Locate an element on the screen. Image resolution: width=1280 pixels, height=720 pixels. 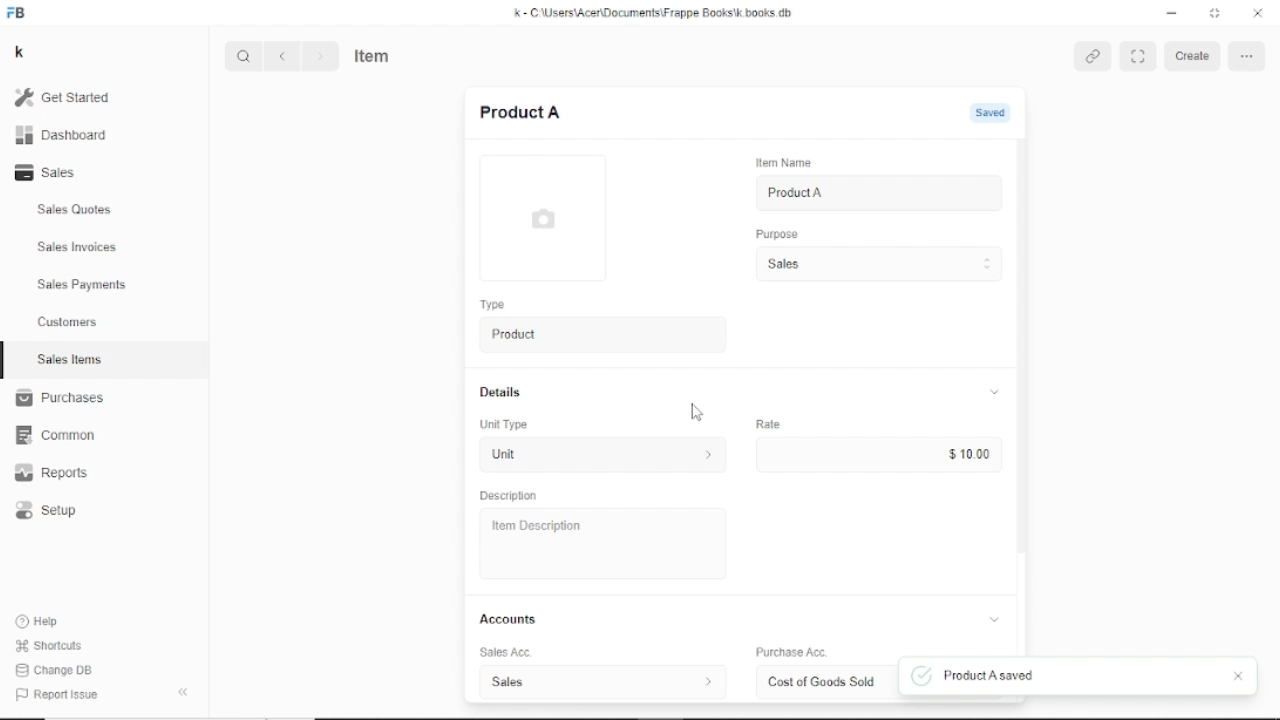
Unit Type is located at coordinates (505, 425).